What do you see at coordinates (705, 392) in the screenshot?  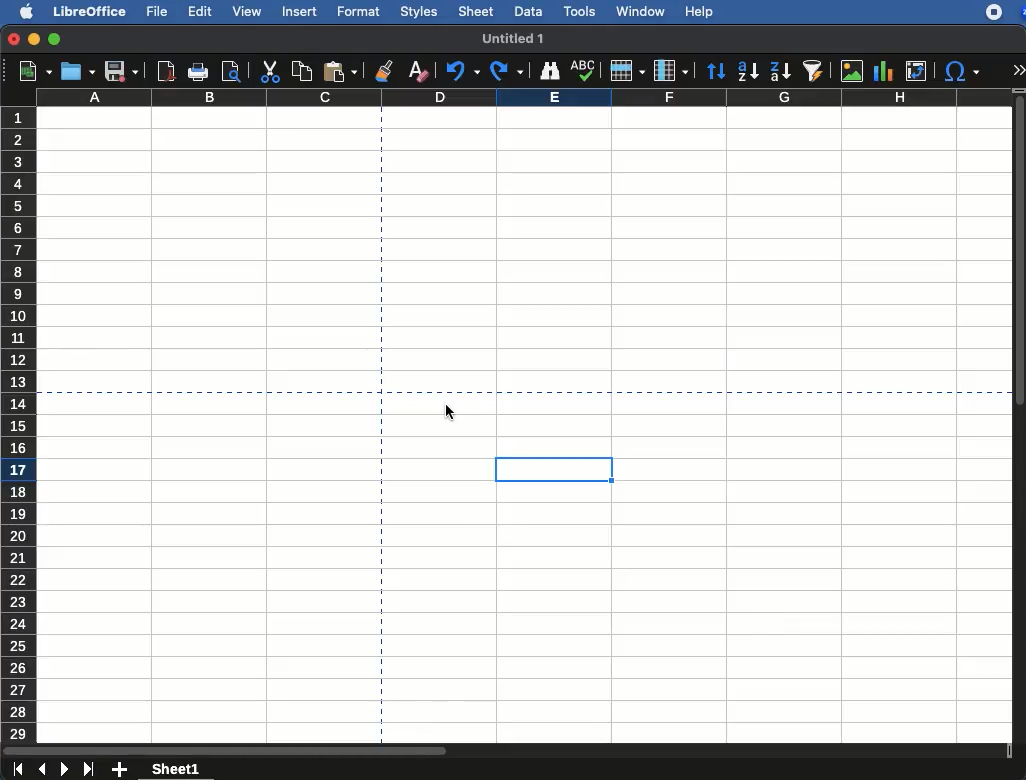 I see `page break` at bounding box center [705, 392].